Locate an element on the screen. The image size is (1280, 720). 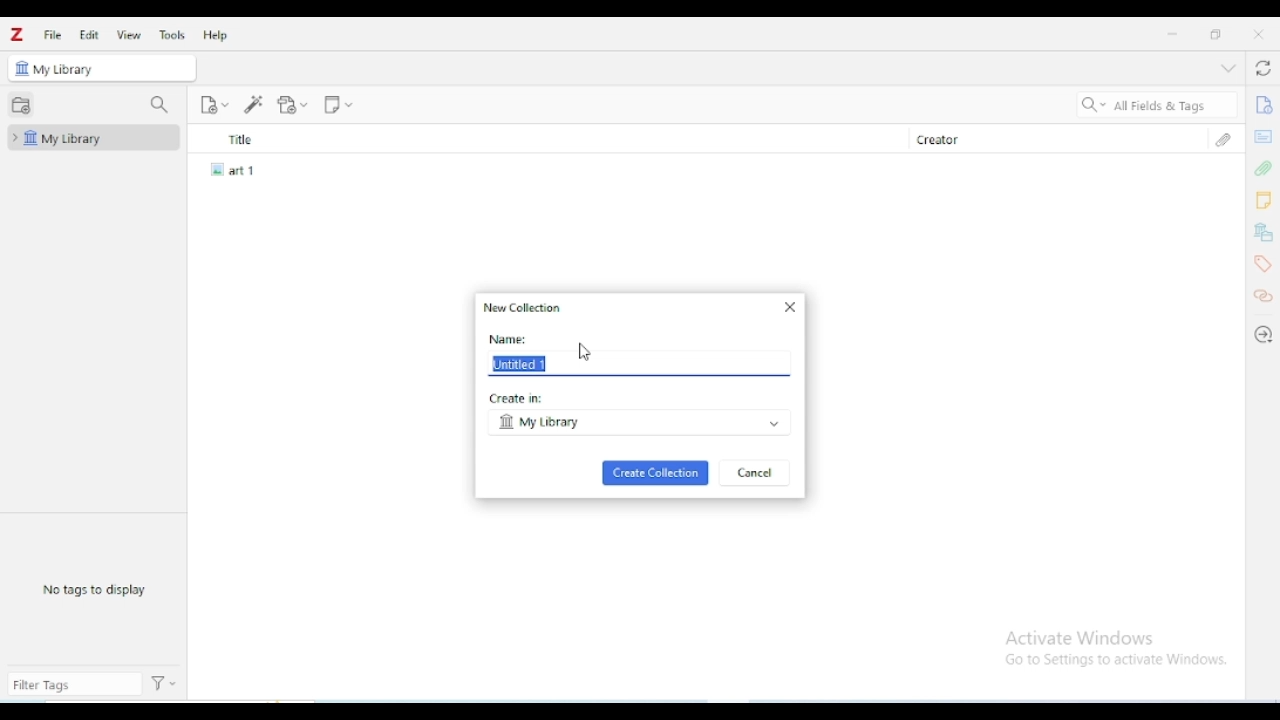
search all fields & tags is located at coordinates (1154, 106).